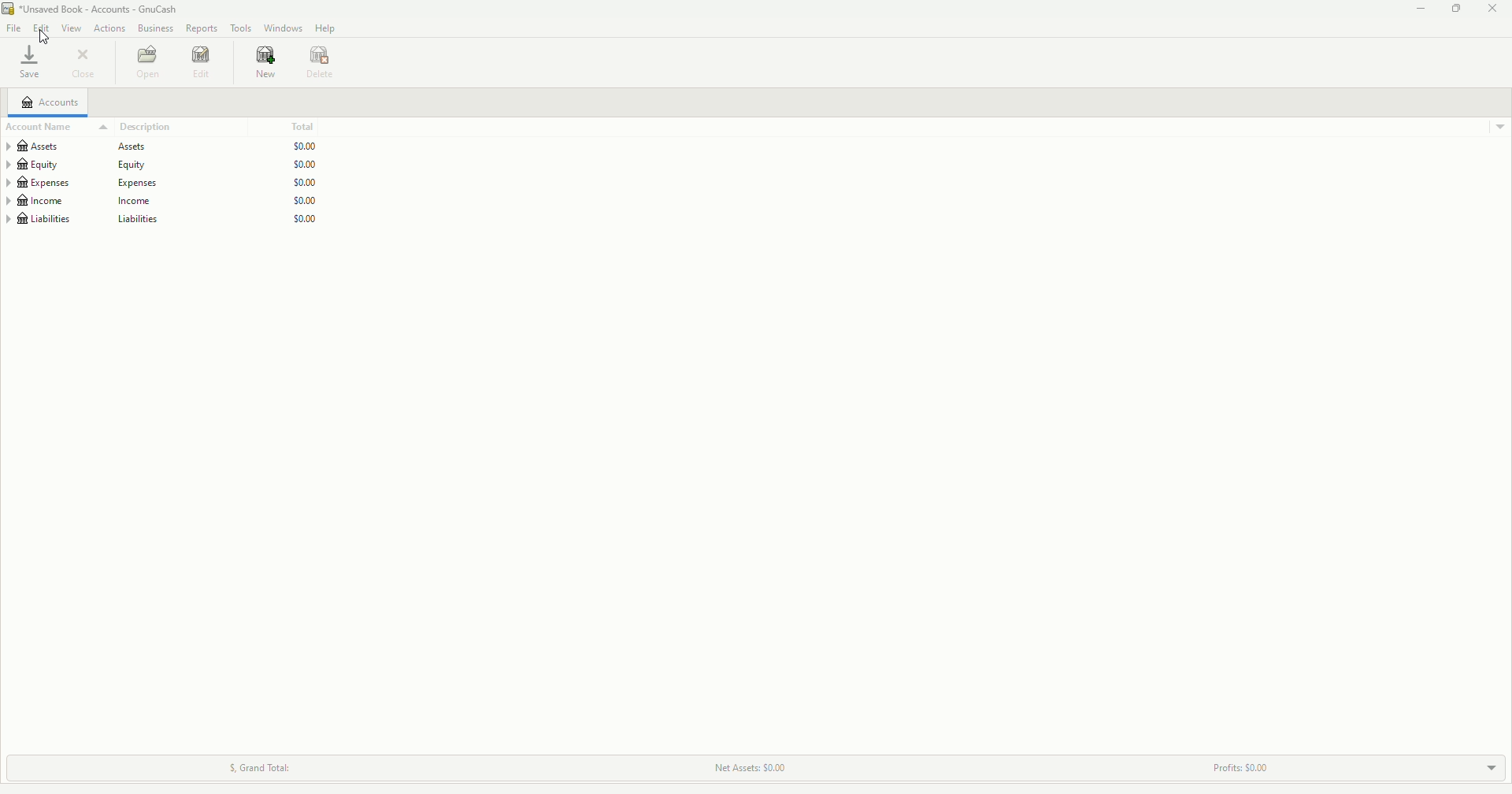 This screenshot has width=1512, height=794. What do you see at coordinates (265, 765) in the screenshot?
I see `Grand Total` at bounding box center [265, 765].